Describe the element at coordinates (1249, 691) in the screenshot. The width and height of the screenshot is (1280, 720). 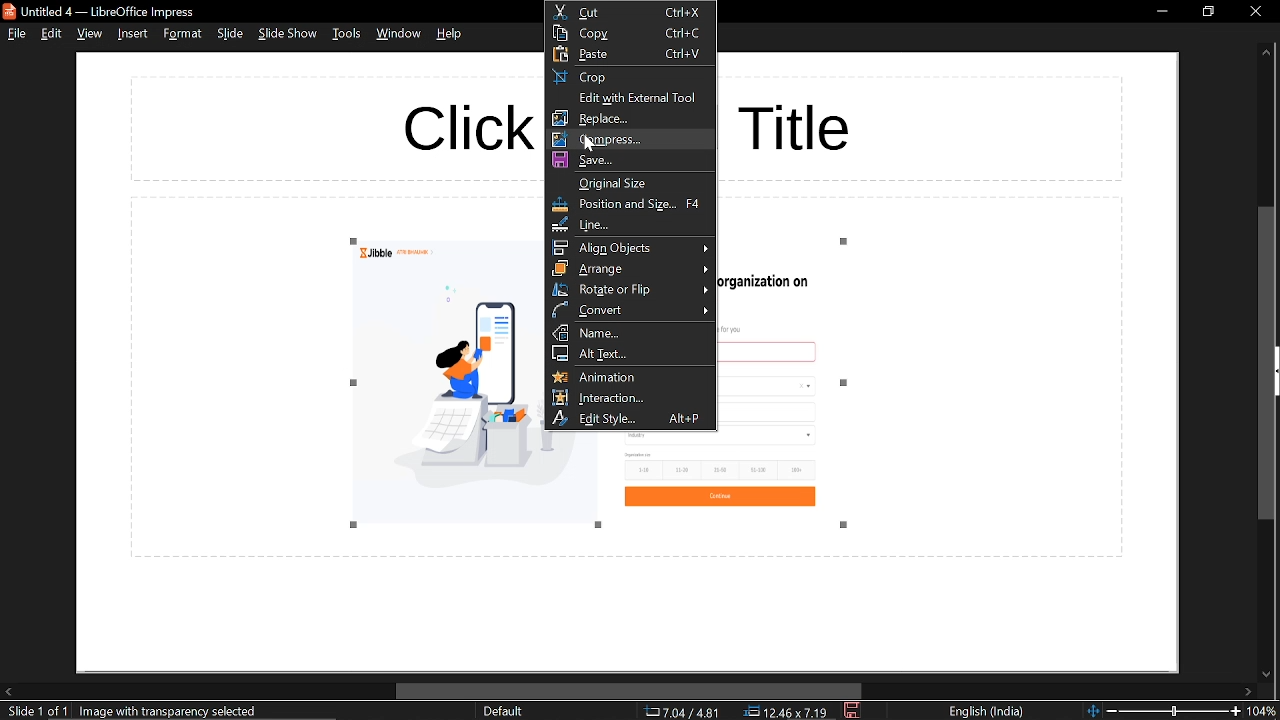
I see `move right` at that location.